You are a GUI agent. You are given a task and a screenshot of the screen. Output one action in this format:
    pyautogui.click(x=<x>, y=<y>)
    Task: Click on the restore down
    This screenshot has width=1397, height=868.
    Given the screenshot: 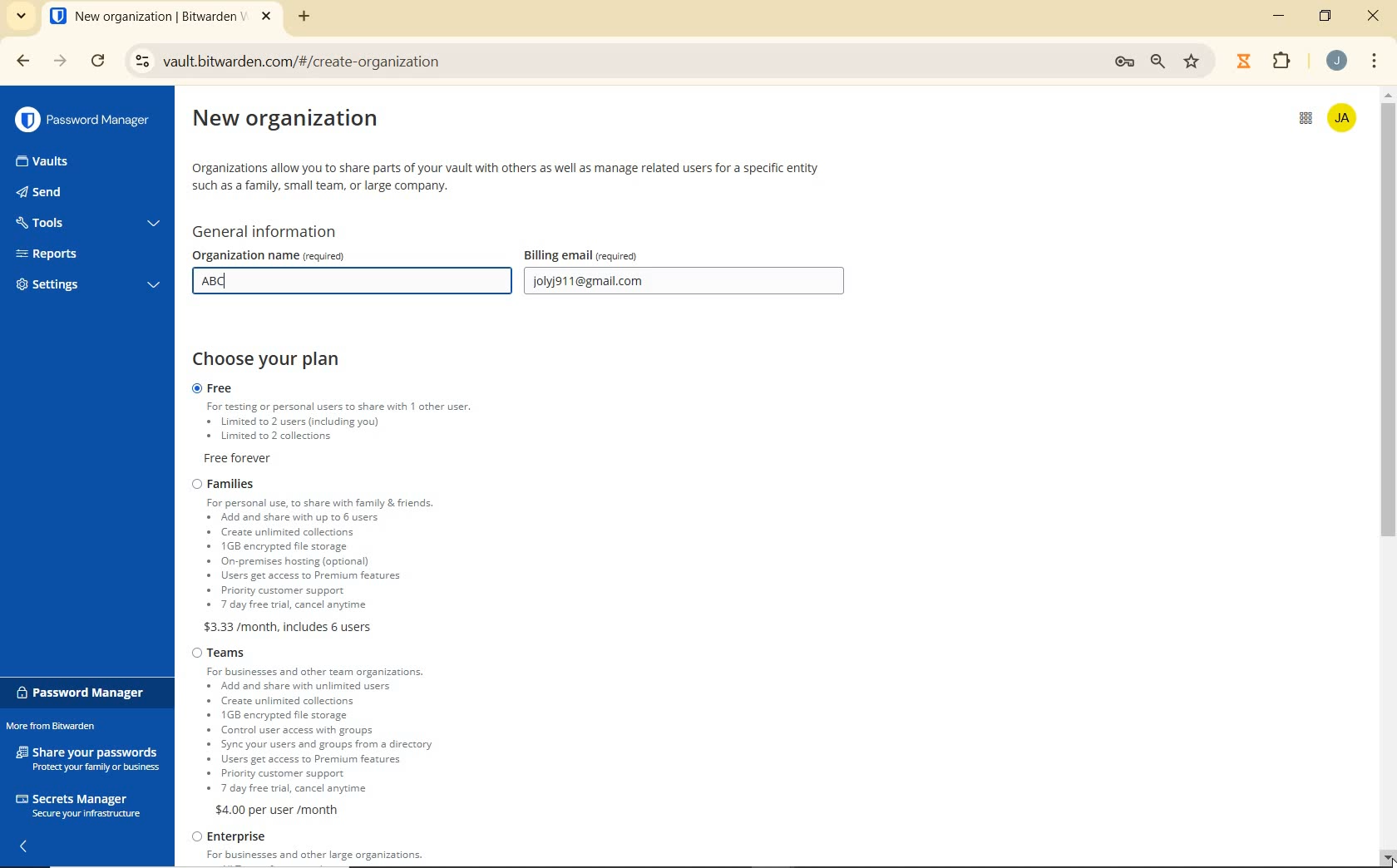 What is the action you would take?
    pyautogui.click(x=1328, y=16)
    